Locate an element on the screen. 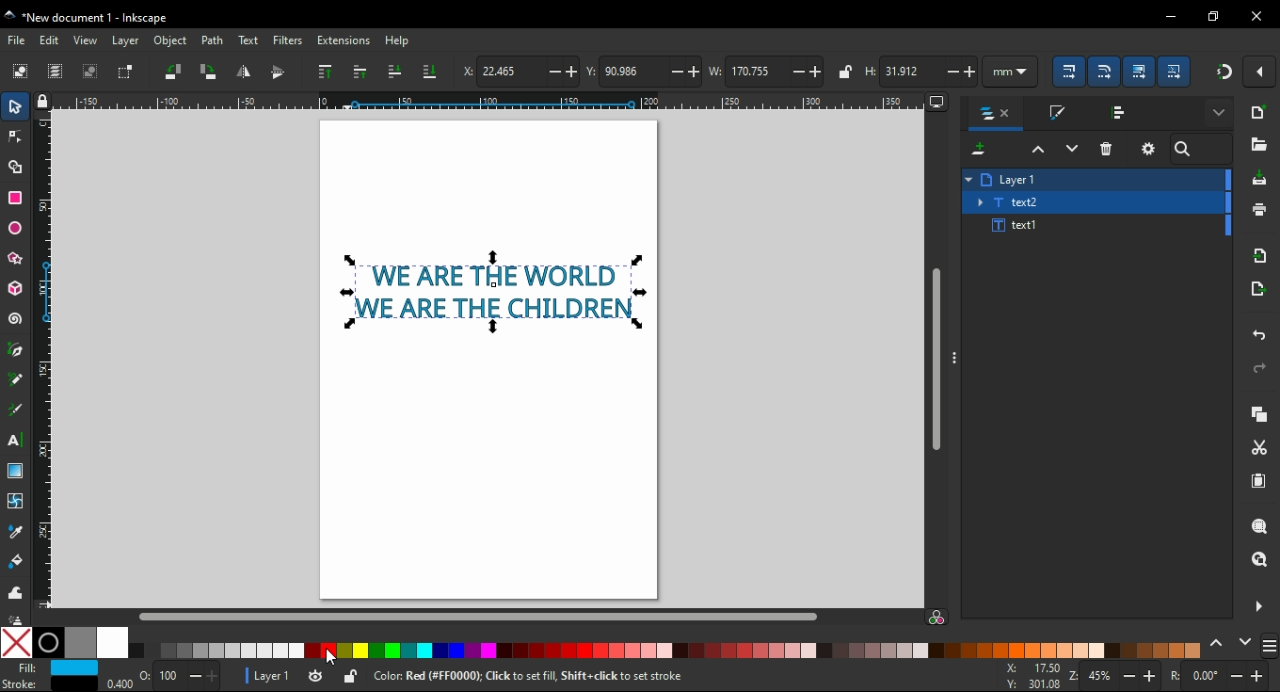  text1 is located at coordinates (1015, 226).